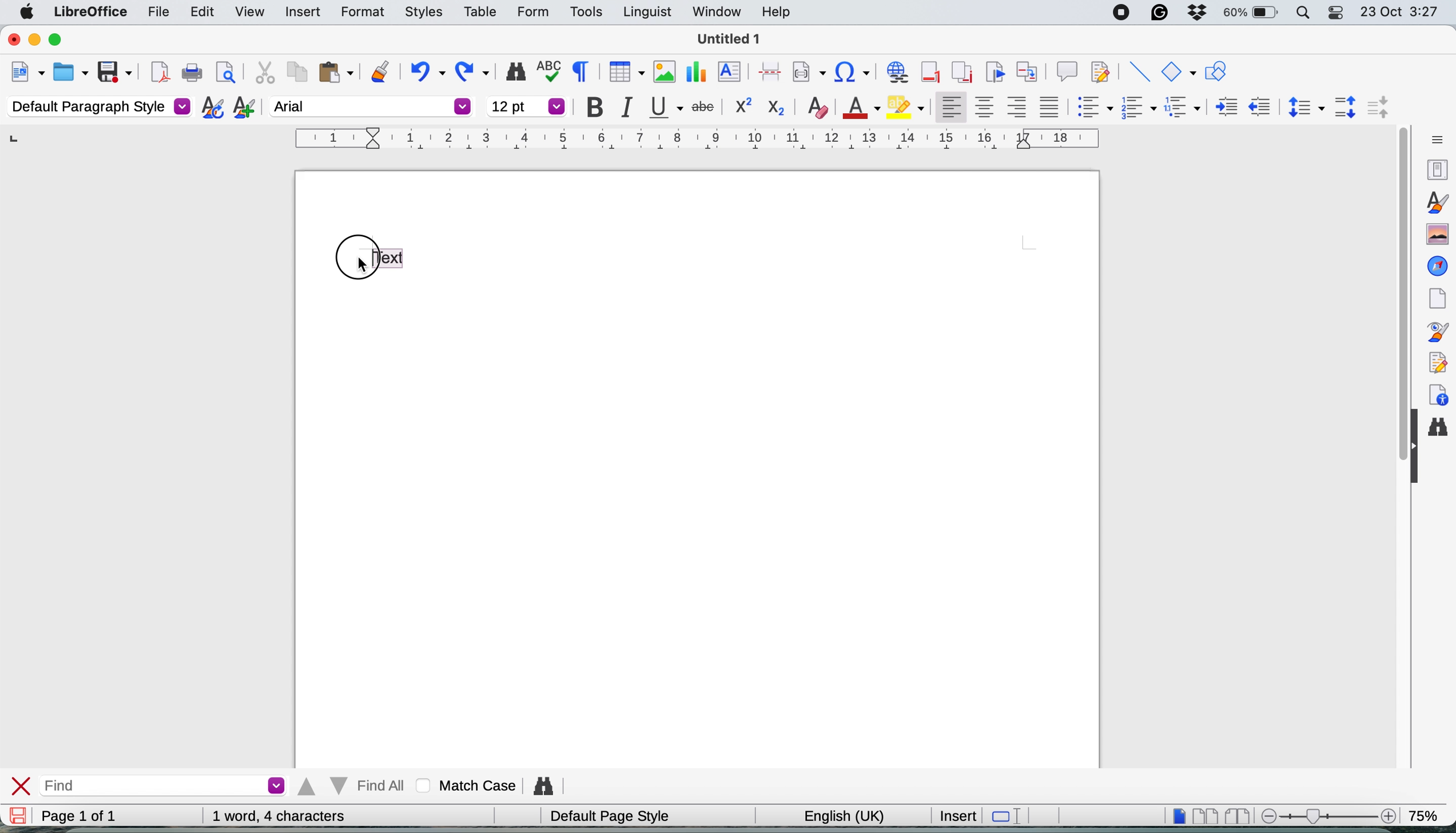 This screenshot has width=1456, height=833. I want to click on insert comment, so click(1066, 72).